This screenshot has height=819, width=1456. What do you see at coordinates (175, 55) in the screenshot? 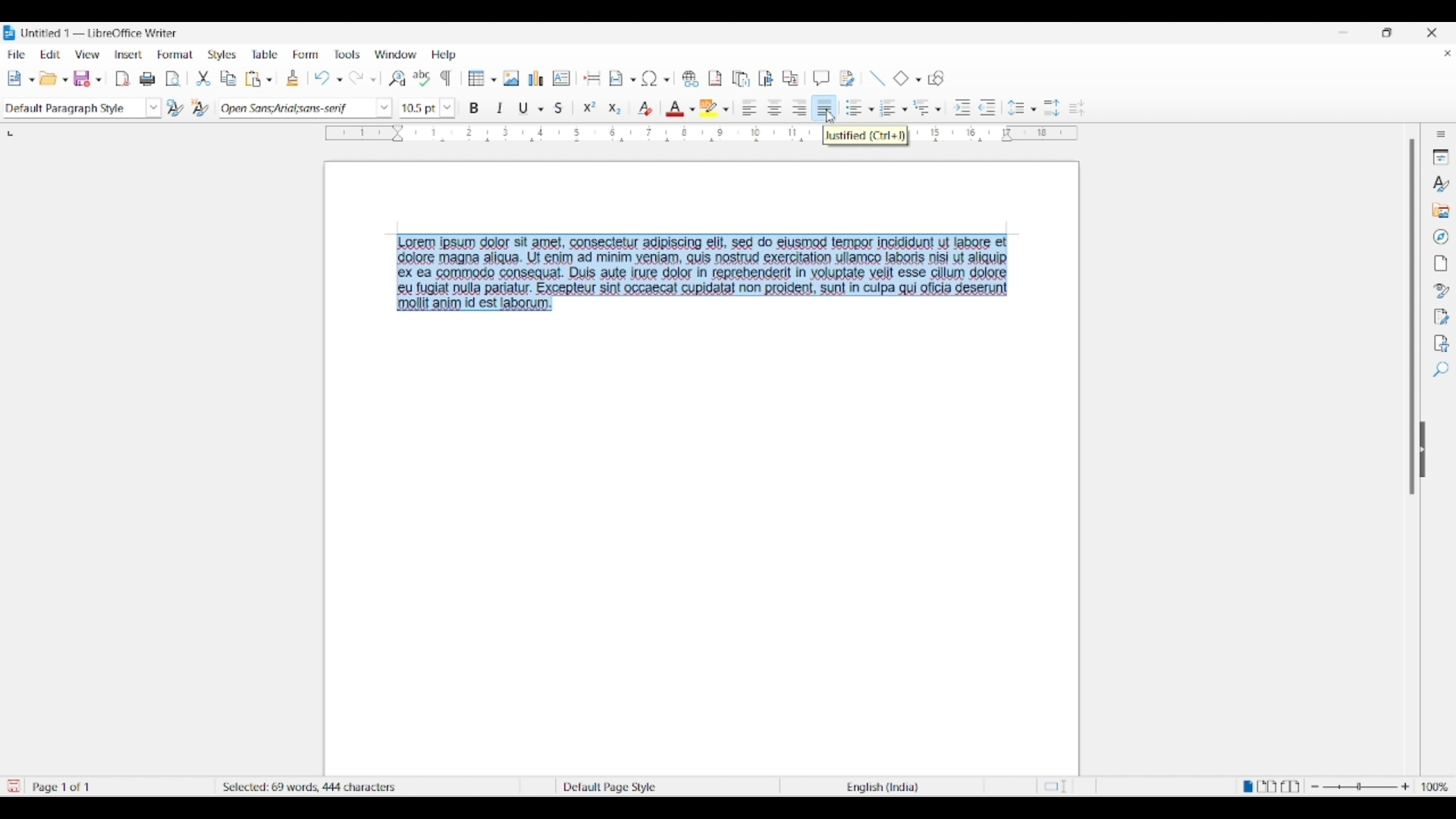
I see `Format` at bounding box center [175, 55].